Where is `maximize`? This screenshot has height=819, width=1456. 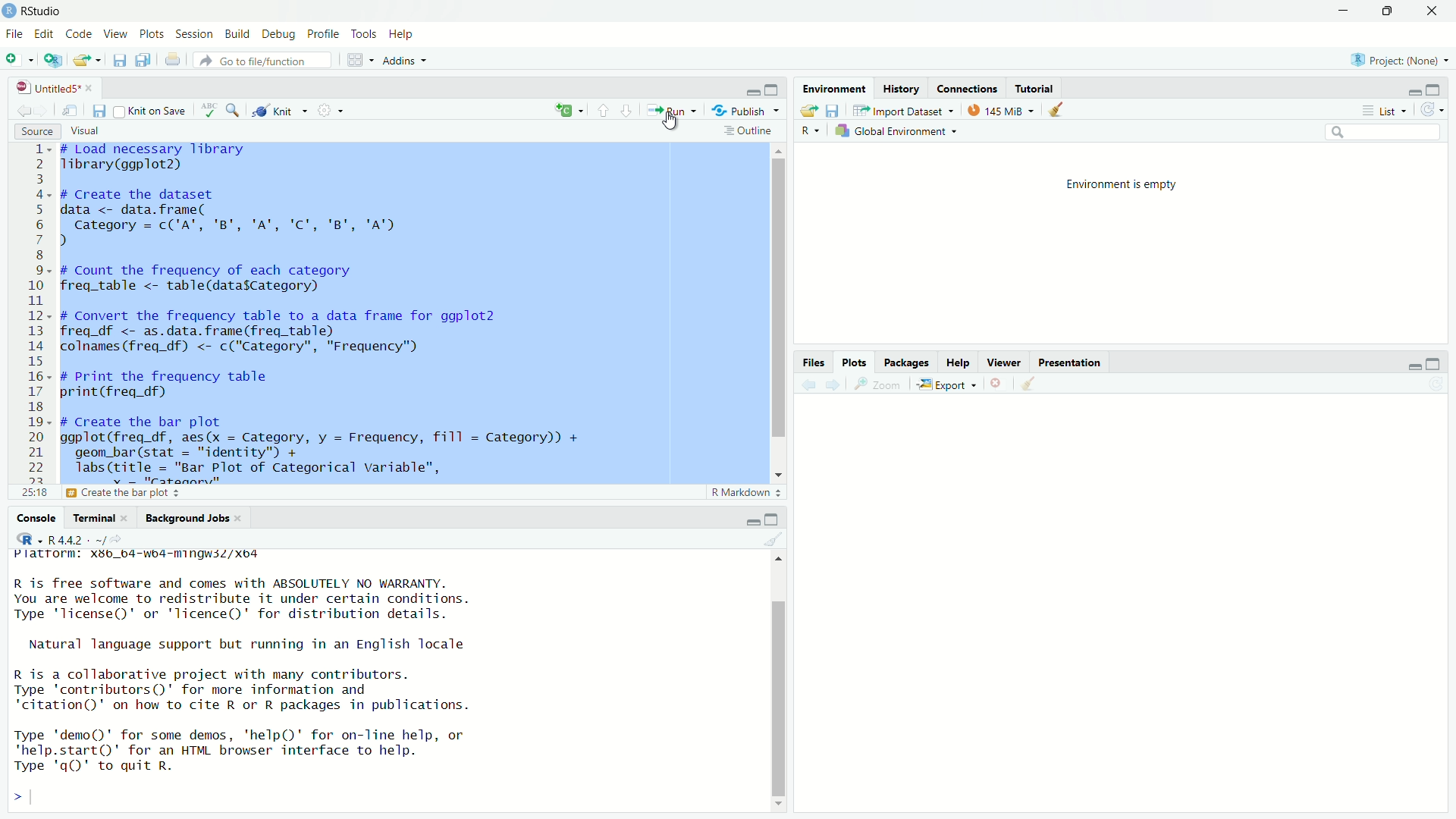
maximize is located at coordinates (772, 519).